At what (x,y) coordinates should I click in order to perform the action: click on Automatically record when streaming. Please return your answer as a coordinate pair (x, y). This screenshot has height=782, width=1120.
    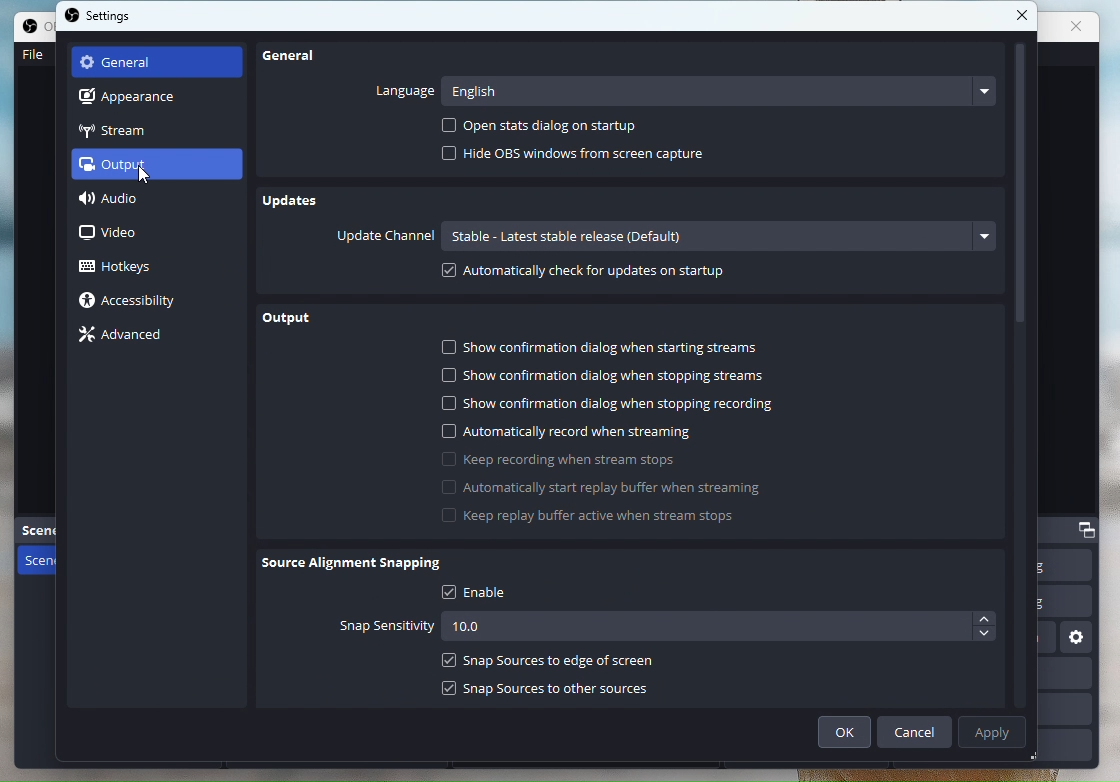
    Looking at the image, I should click on (605, 431).